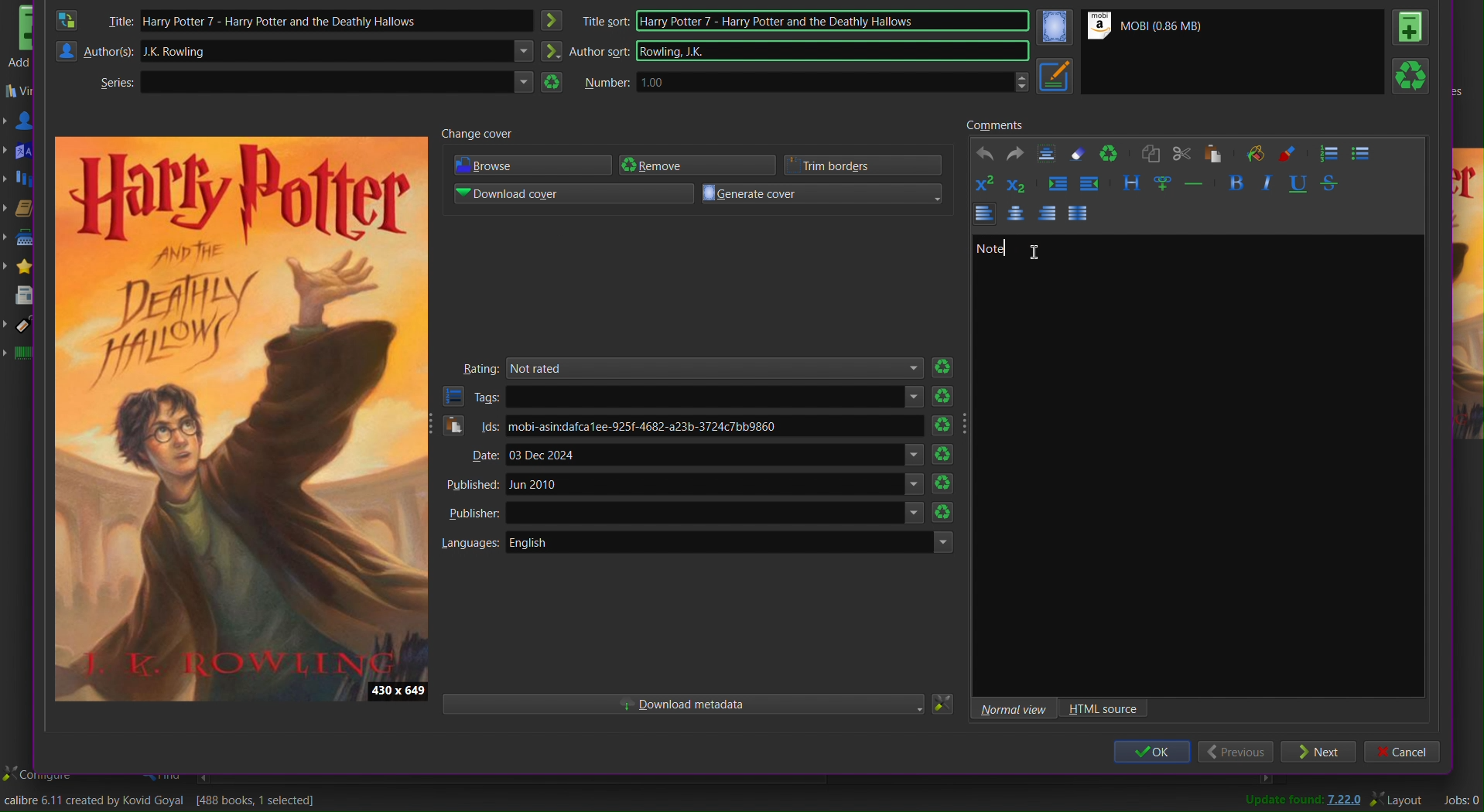  Describe the element at coordinates (1291, 152) in the screenshot. I see `Foreground color` at that location.